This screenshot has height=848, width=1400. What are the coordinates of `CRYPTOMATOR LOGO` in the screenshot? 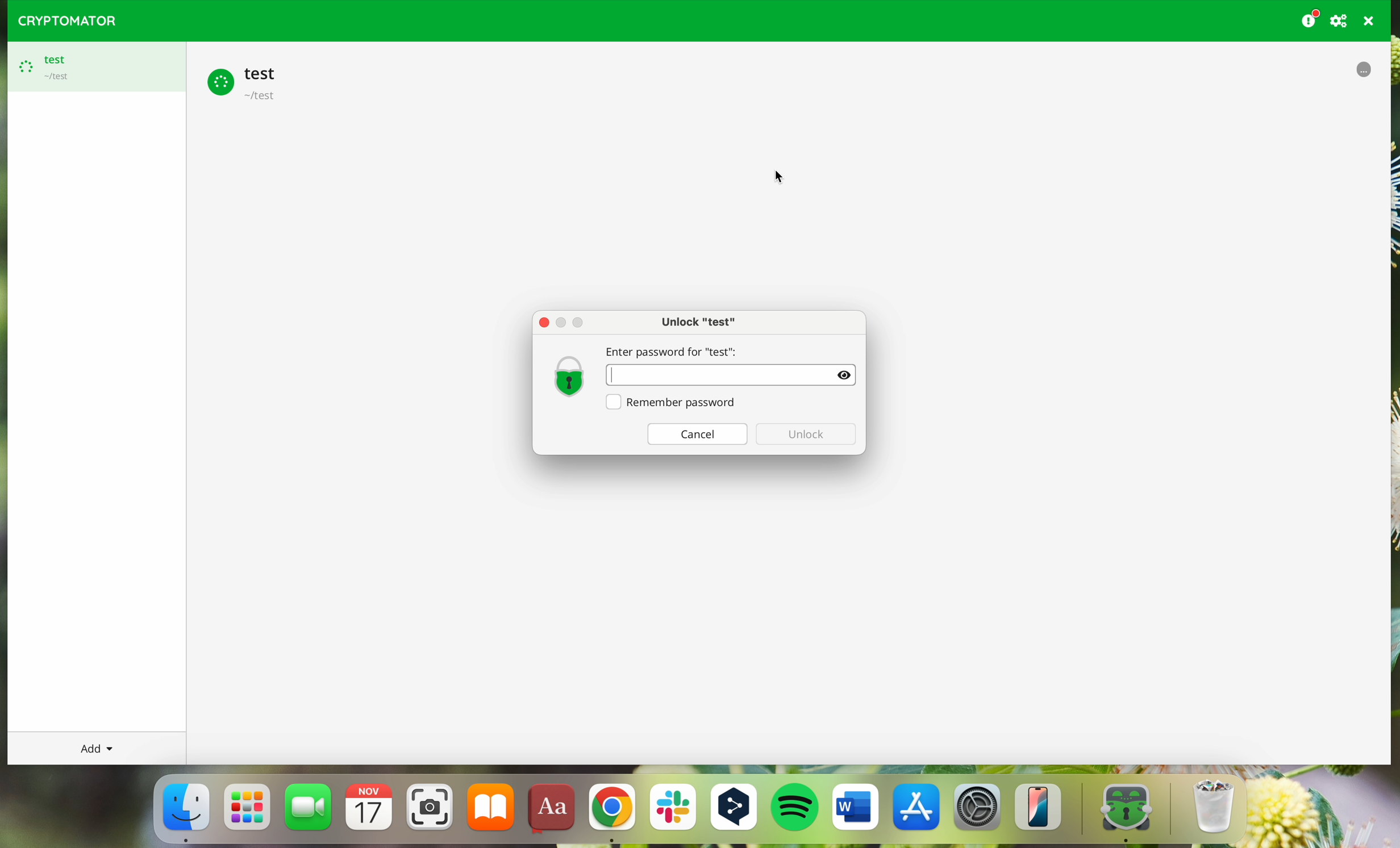 It's located at (62, 18).